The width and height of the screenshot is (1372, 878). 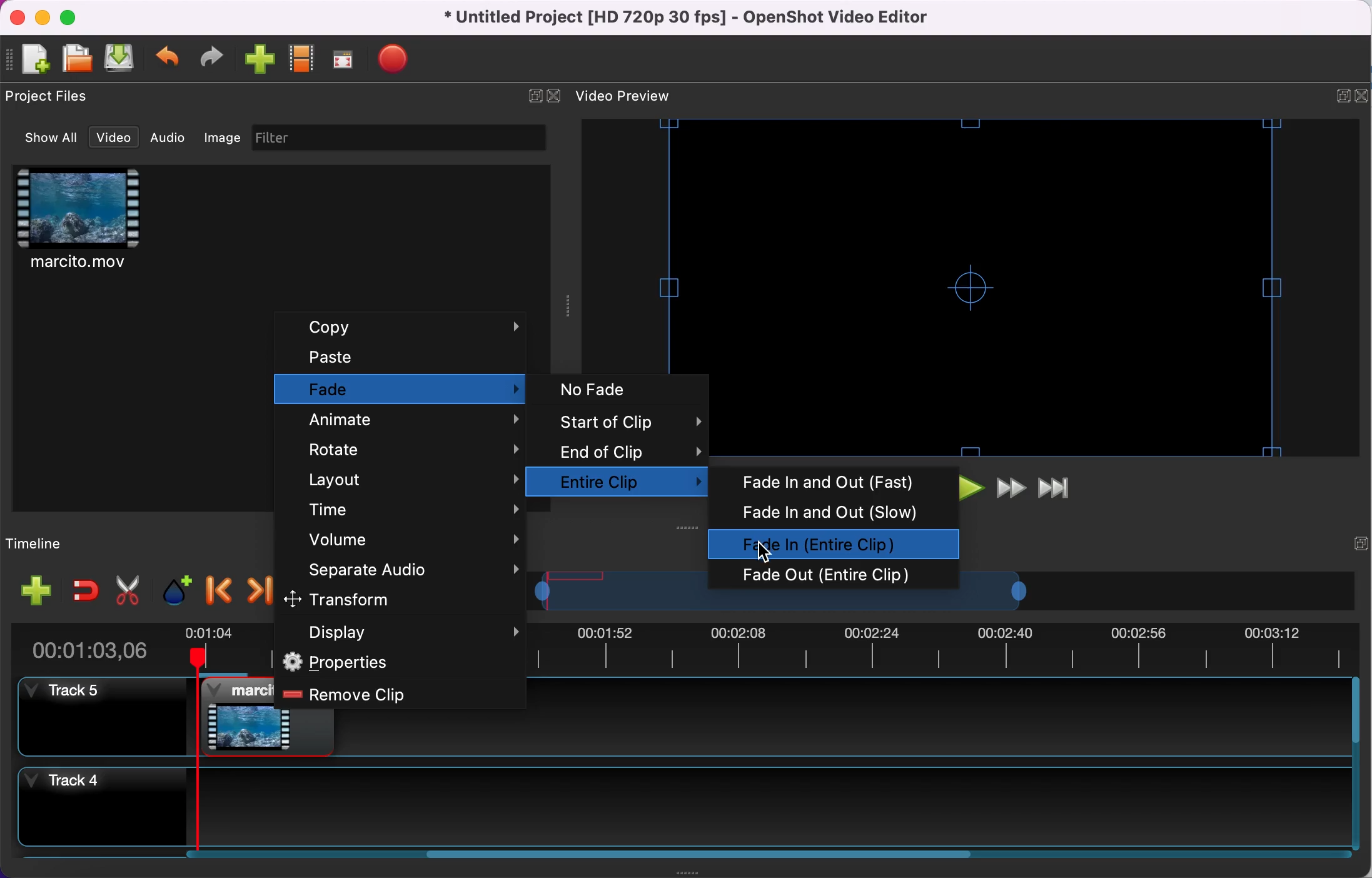 What do you see at coordinates (53, 545) in the screenshot?
I see `timeline` at bounding box center [53, 545].